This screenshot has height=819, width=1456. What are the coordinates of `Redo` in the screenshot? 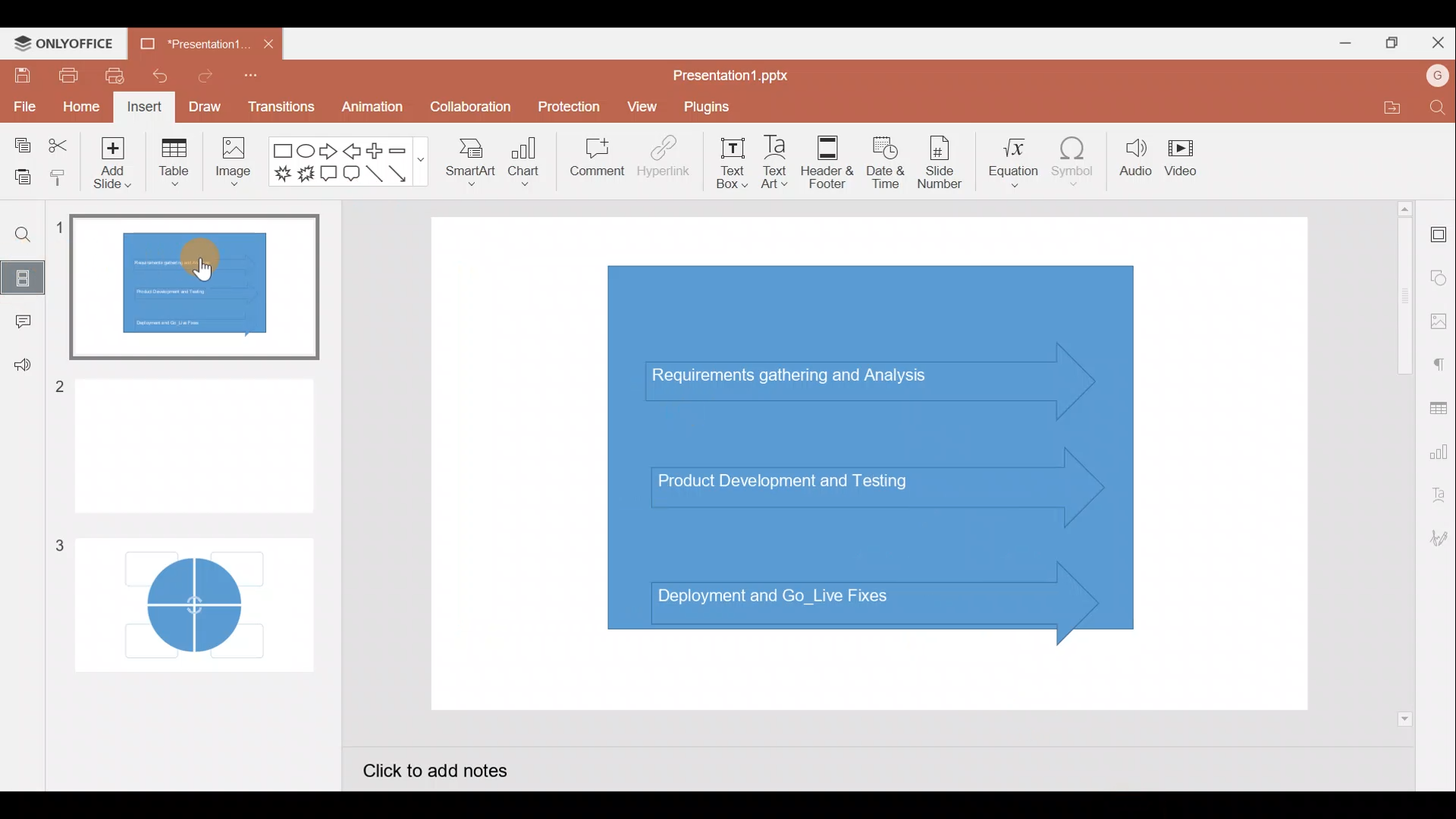 It's located at (201, 80).